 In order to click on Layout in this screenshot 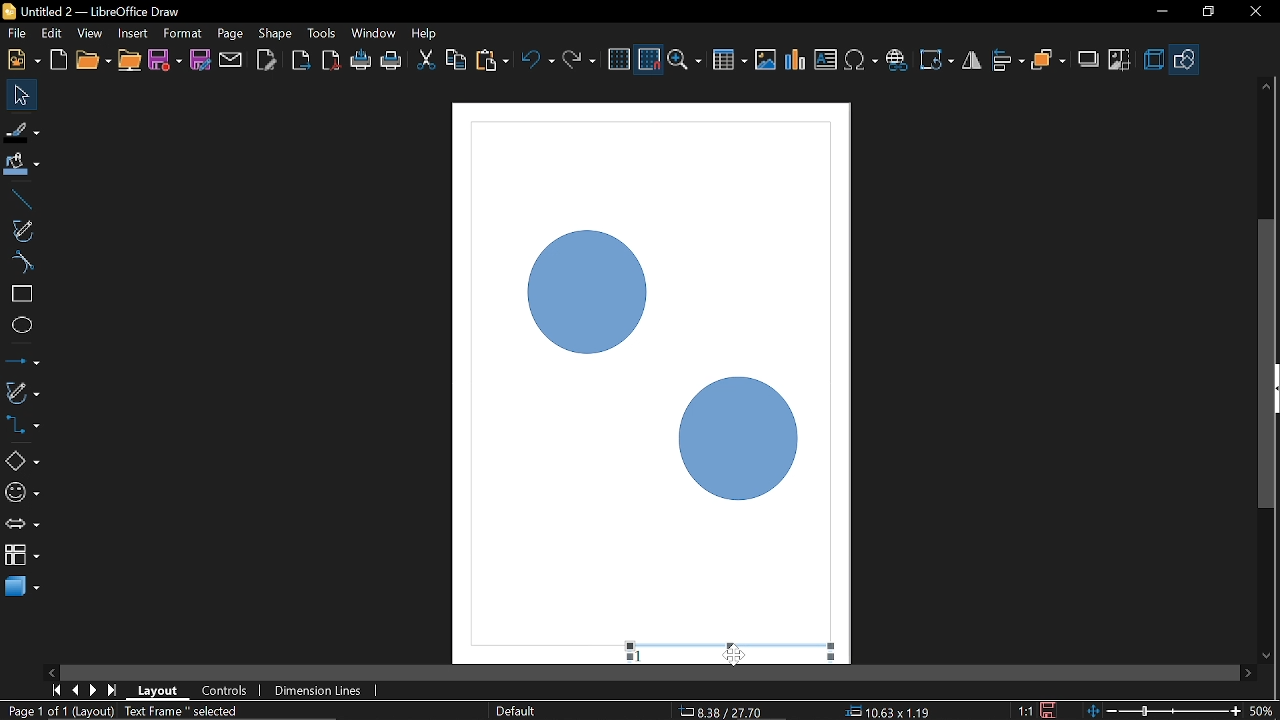, I will do `click(158, 690)`.